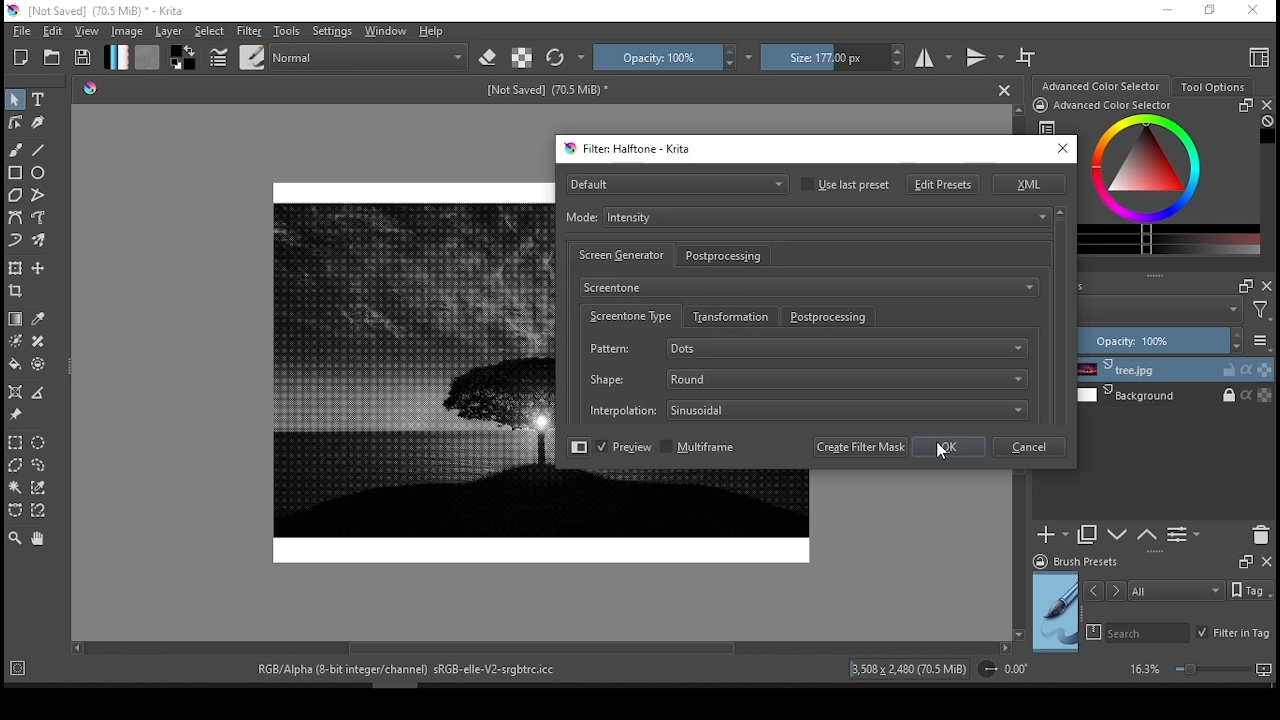 The height and width of the screenshot is (720, 1280). I want to click on pattern, so click(807, 350).